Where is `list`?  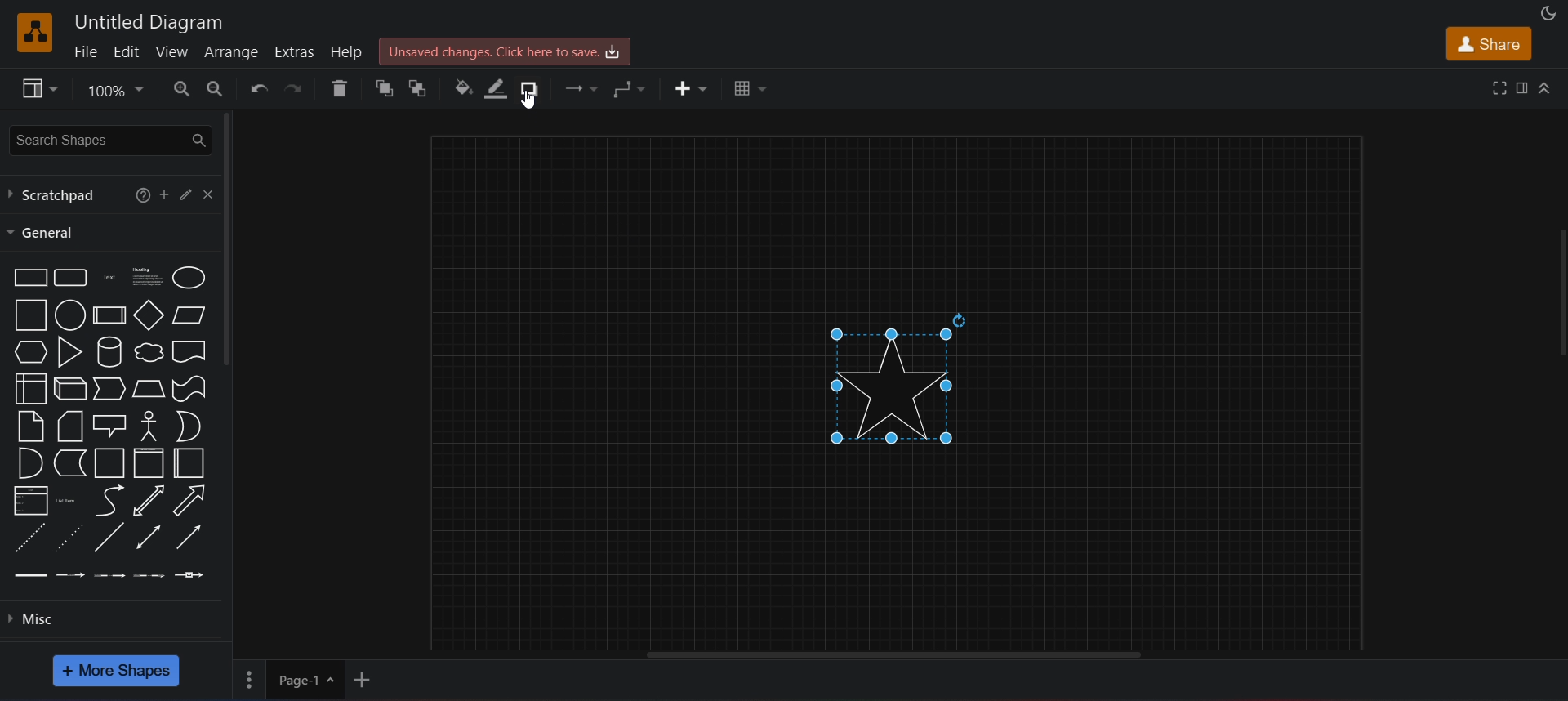 list is located at coordinates (29, 499).